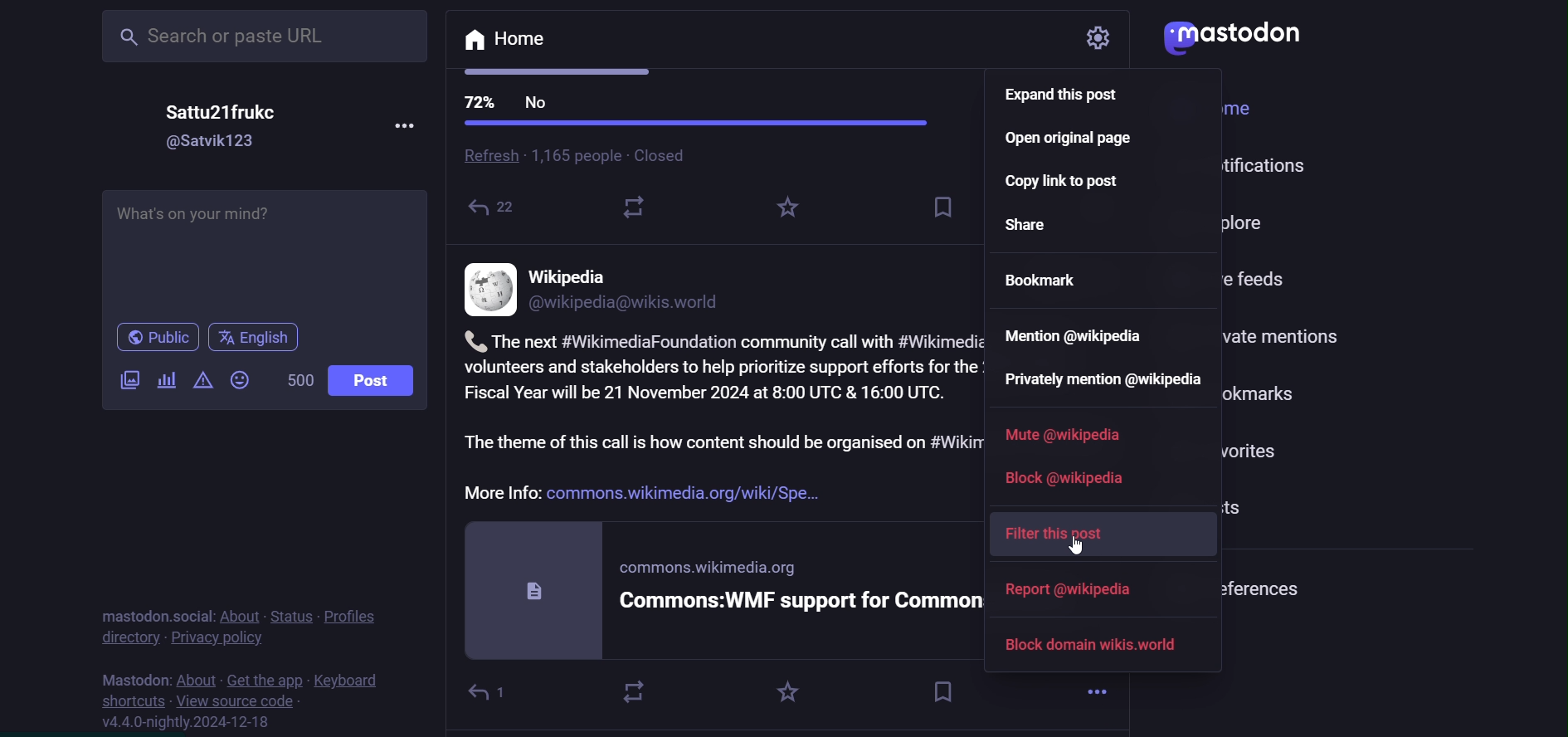  Describe the element at coordinates (238, 612) in the screenshot. I see `about` at that location.